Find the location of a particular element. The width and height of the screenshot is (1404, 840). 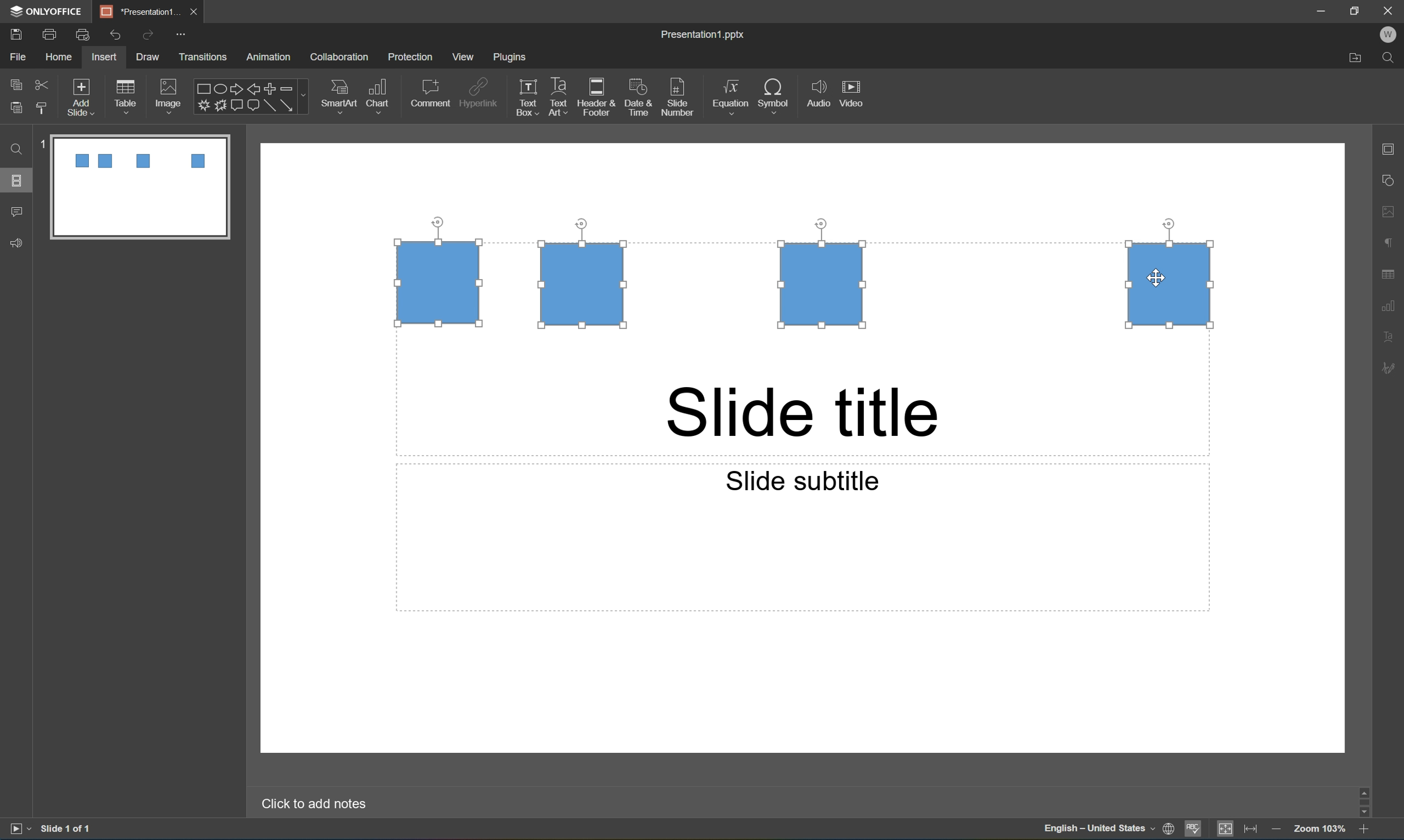

*Presentation1... is located at coordinates (142, 10).